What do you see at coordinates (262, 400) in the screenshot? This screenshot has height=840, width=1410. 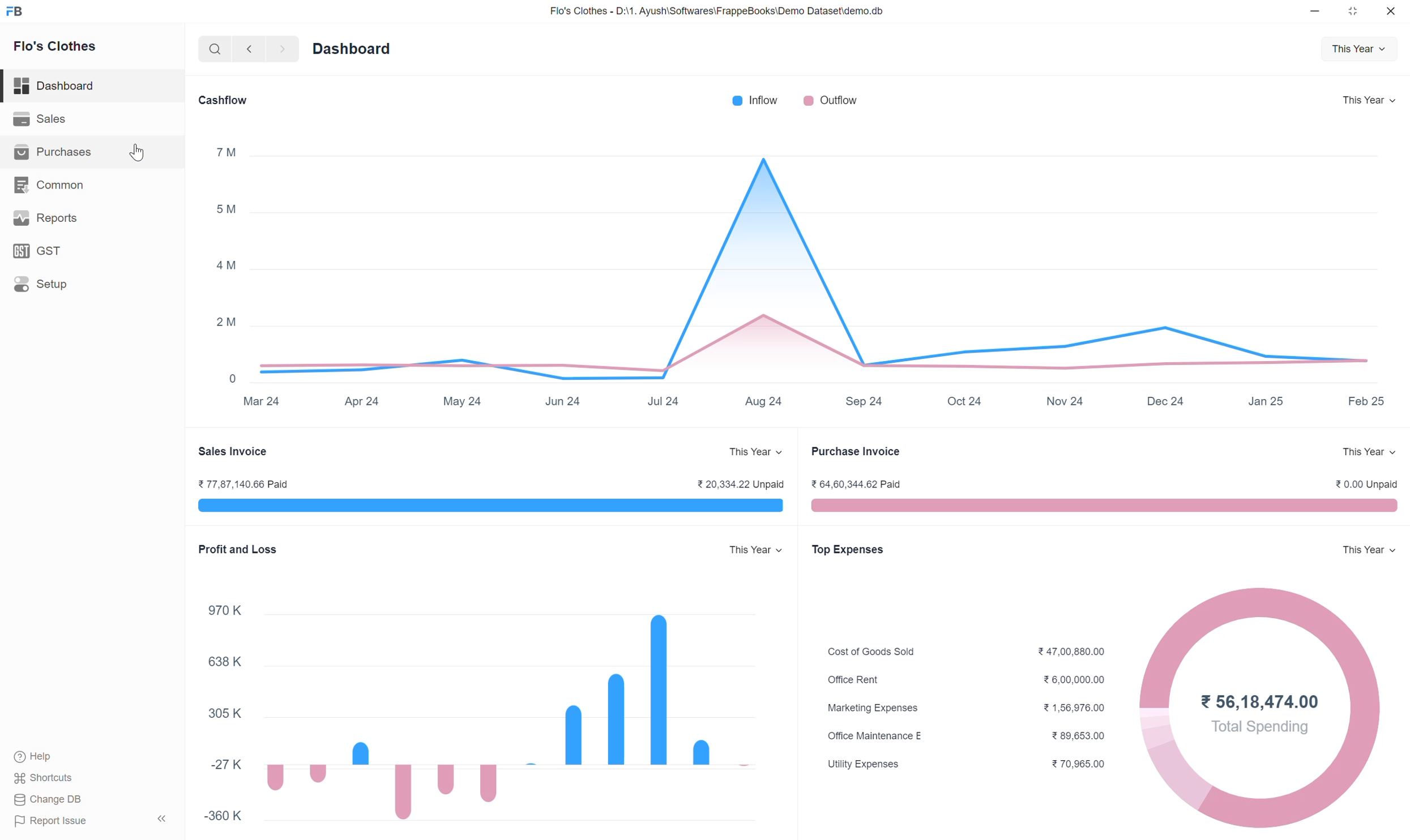 I see `Mar 24` at bounding box center [262, 400].